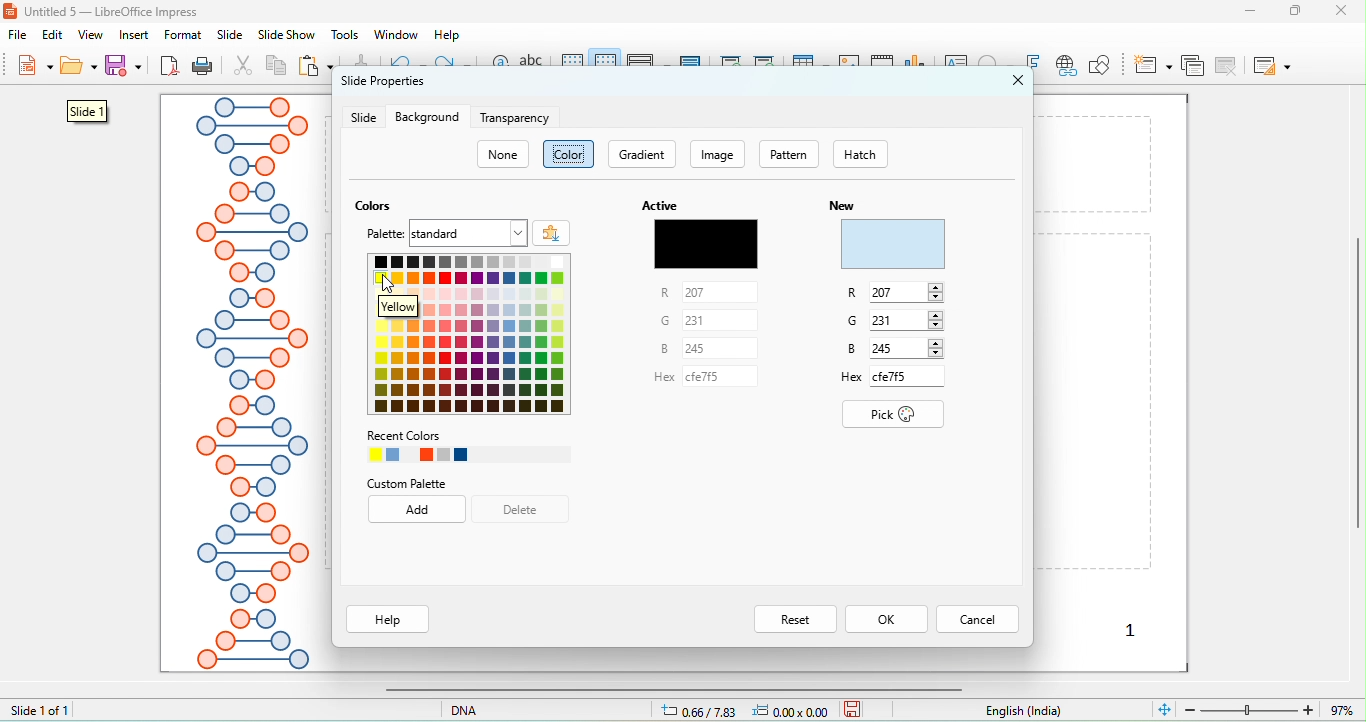  Describe the element at coordinates (1303, 11) in the screenshot. I see `maximize` at that location.